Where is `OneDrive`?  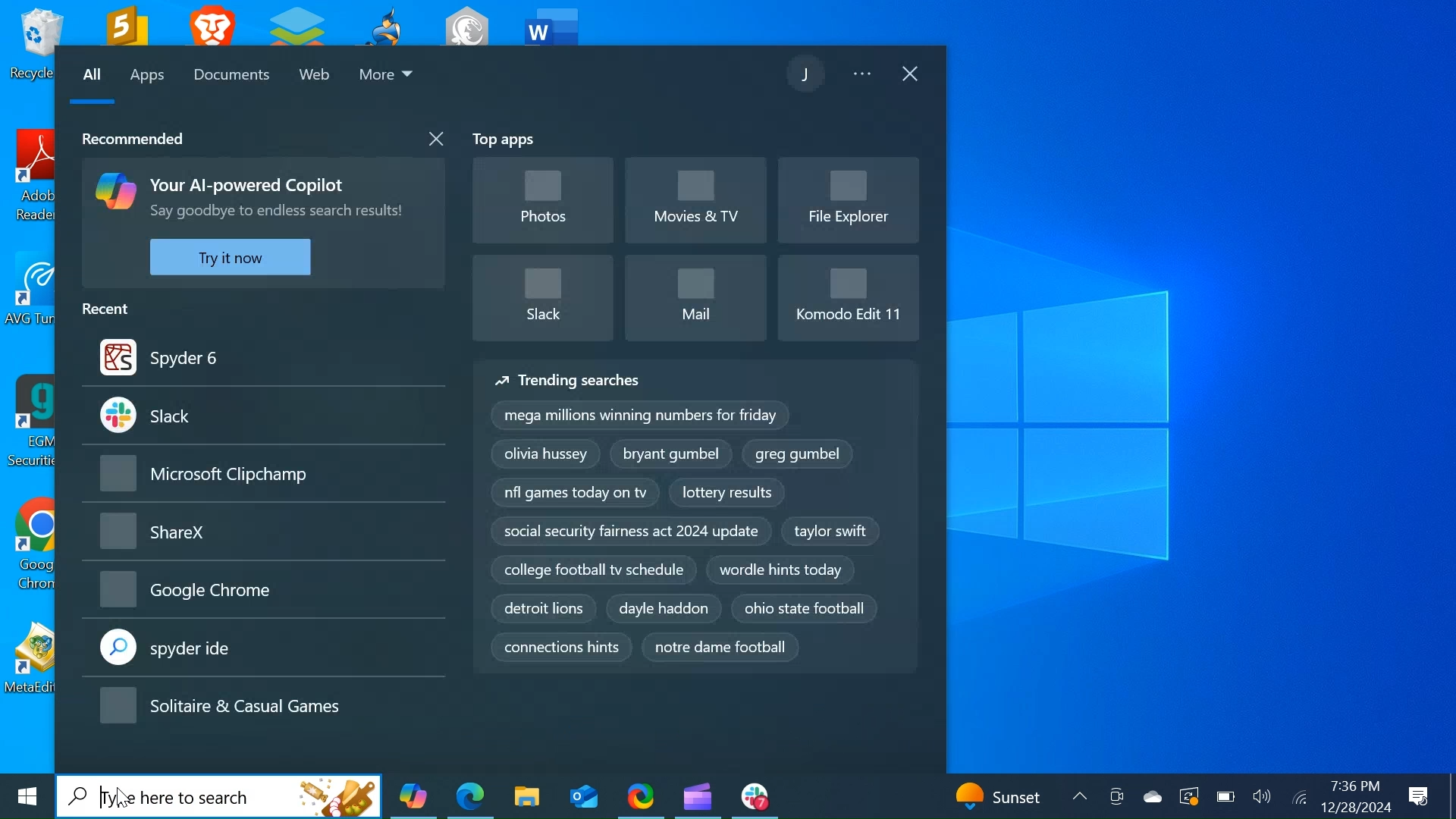 OneDrive is located at coordinates (1152, 796).